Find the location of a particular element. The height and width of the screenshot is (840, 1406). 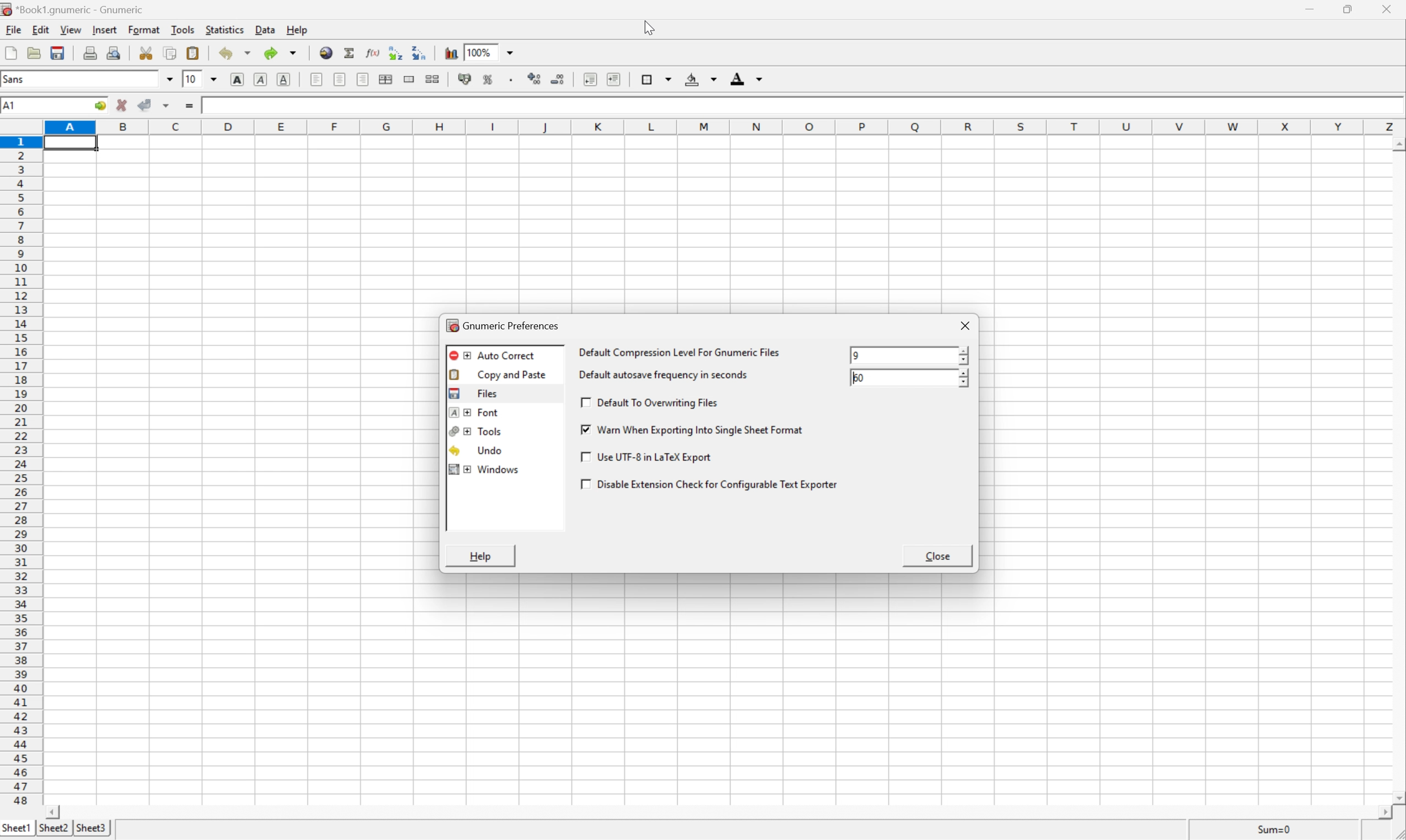

minimize is located at coordinates (1311, 10).